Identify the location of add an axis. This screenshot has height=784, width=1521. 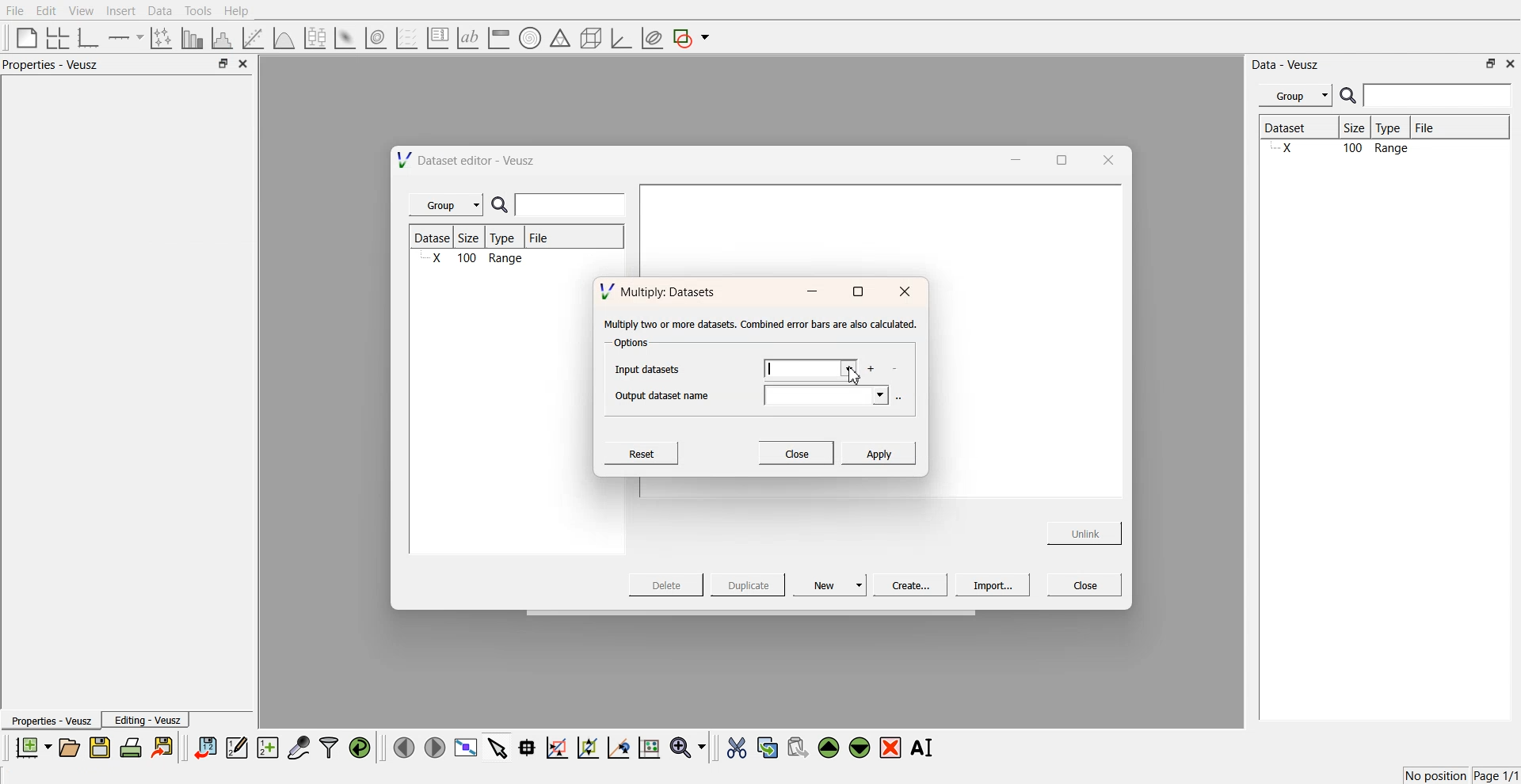
(127, 37).